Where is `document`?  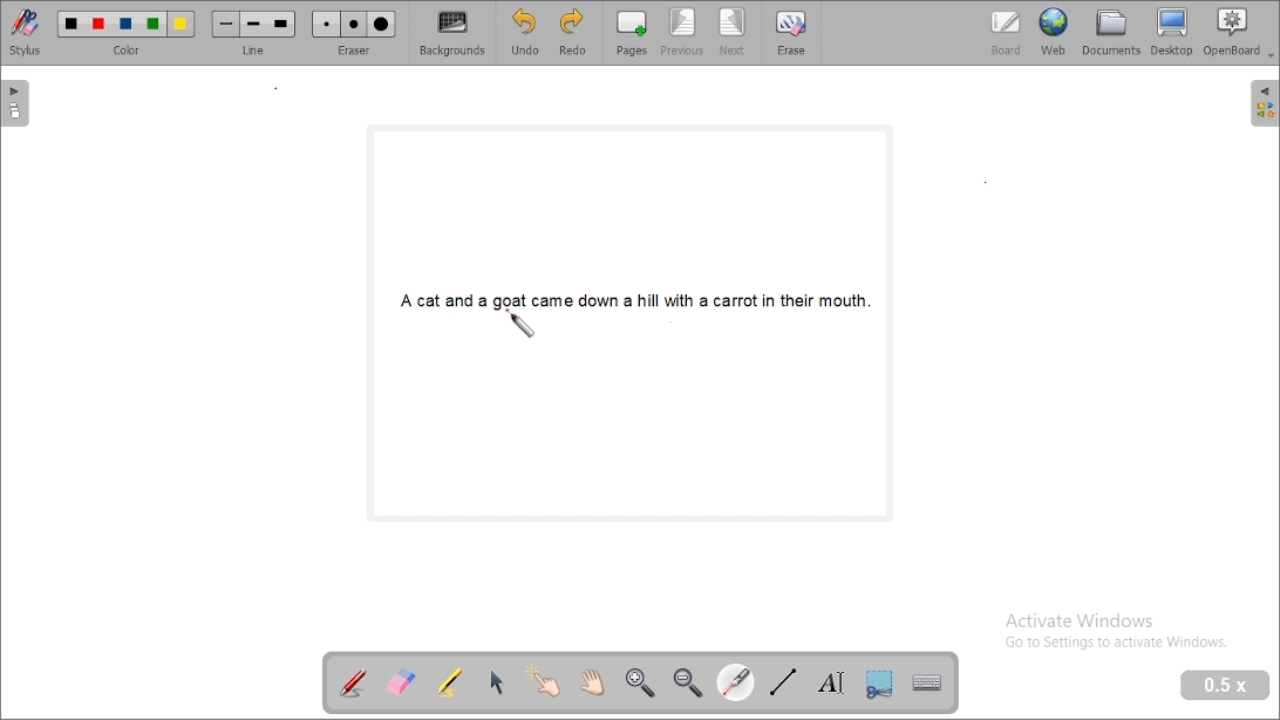 document is located at coordinates (1112, 32).